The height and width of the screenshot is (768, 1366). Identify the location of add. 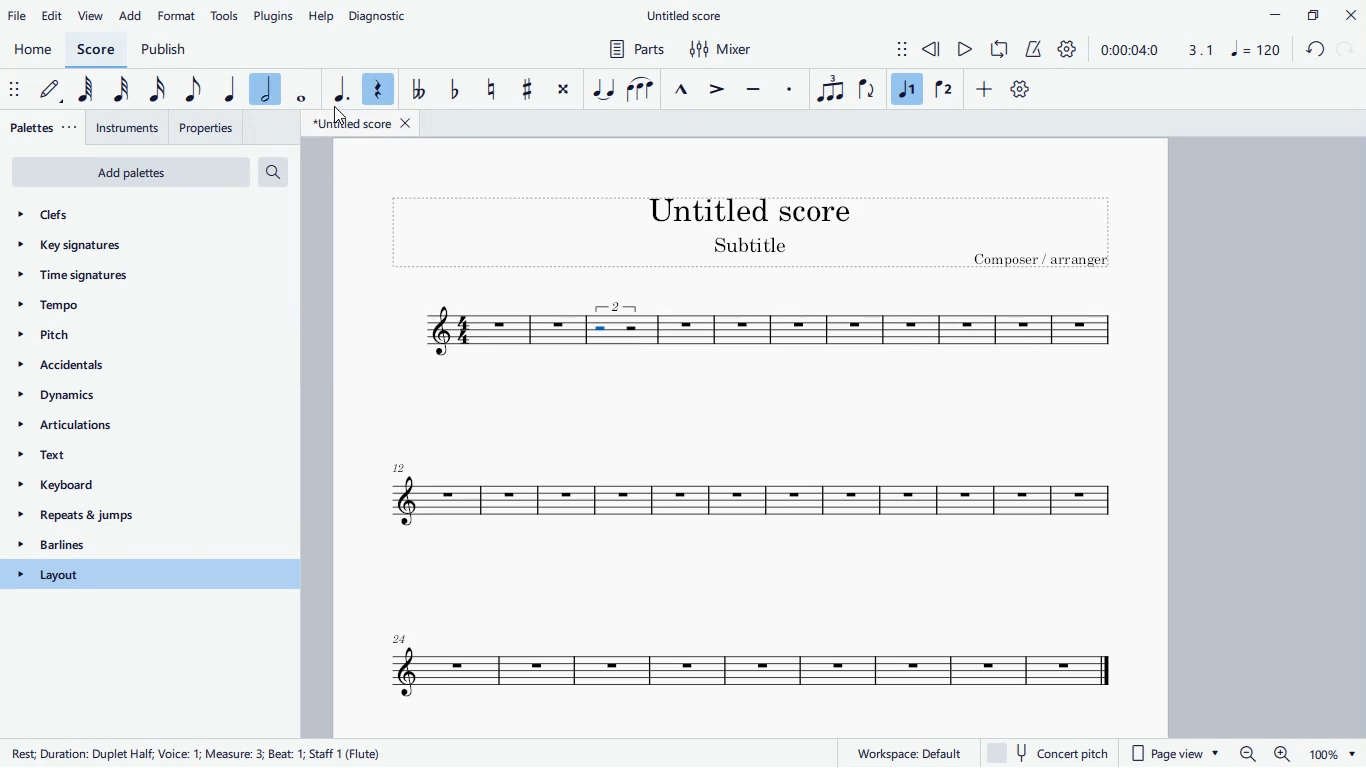
(130, 15).